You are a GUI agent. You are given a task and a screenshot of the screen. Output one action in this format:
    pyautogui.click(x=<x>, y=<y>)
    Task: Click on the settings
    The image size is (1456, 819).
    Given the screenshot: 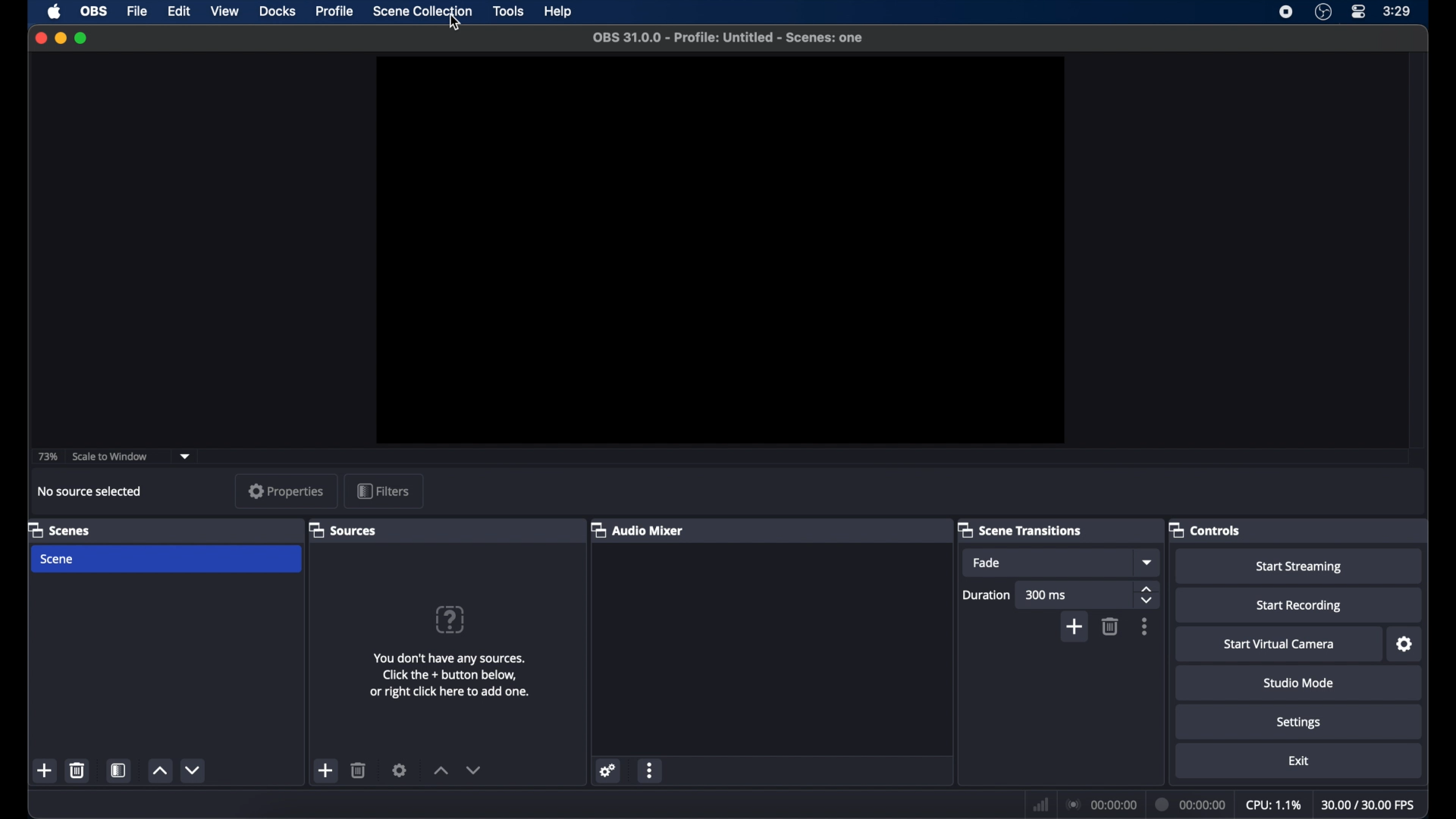 What is the action you would take?
    pyautogui.click(x=1405, y=644)
    